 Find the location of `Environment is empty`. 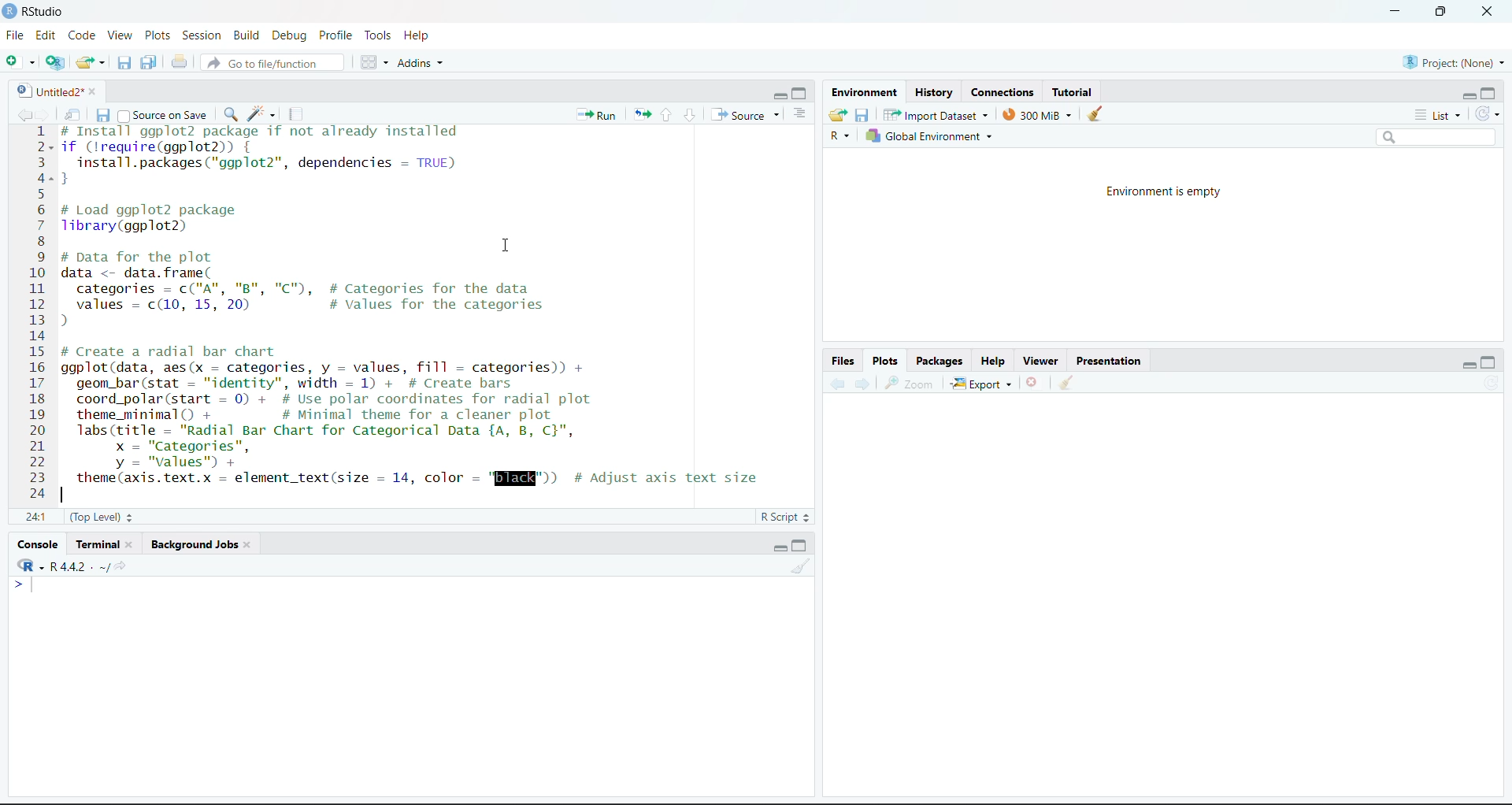

Environment is empty is located at coordinates (1156, 191).